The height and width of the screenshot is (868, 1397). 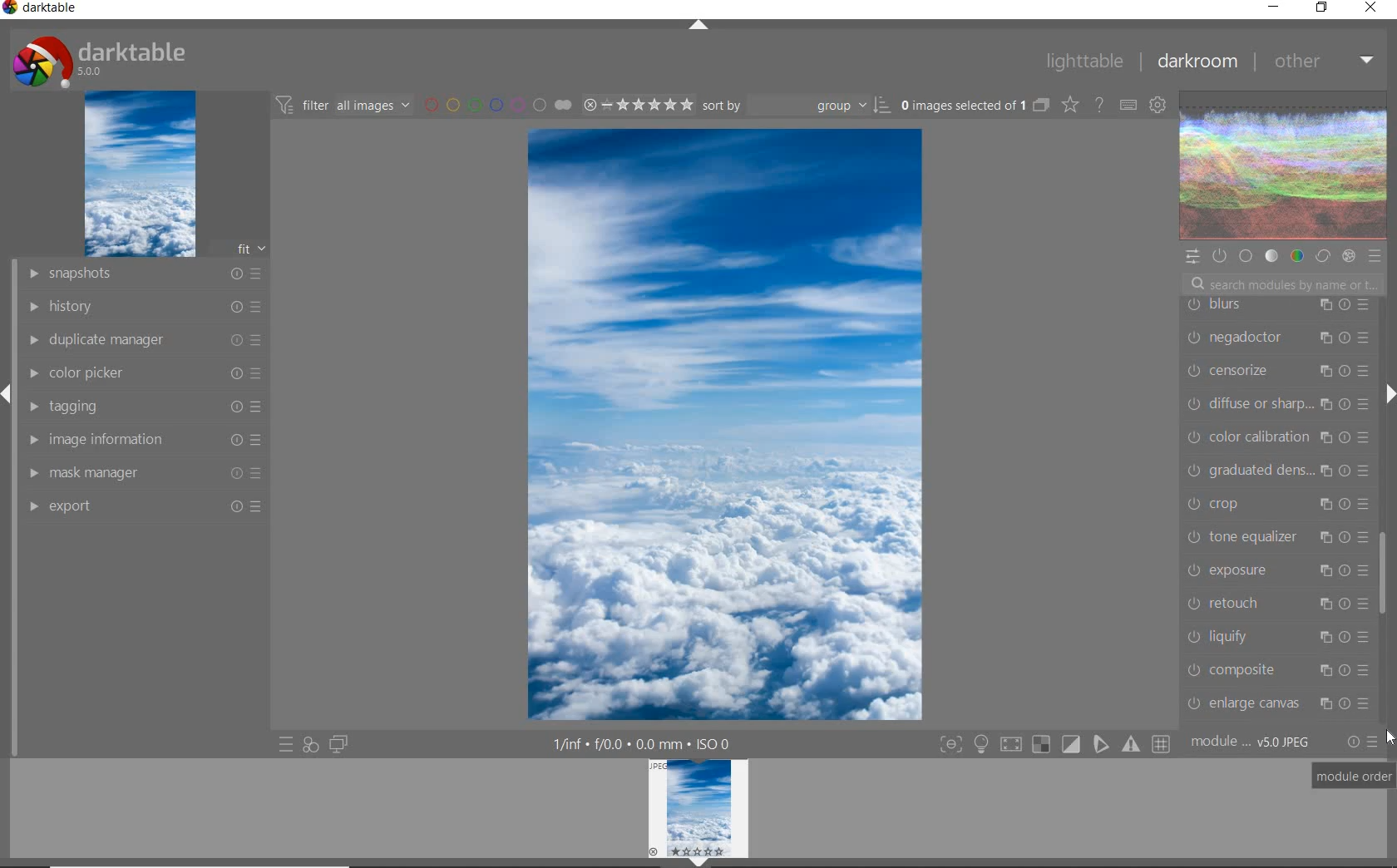 What do you see at coordinates (342, 105) in the screenshot?
I see `FILTER ALL IMAGES` at bounding box center [342, 105].